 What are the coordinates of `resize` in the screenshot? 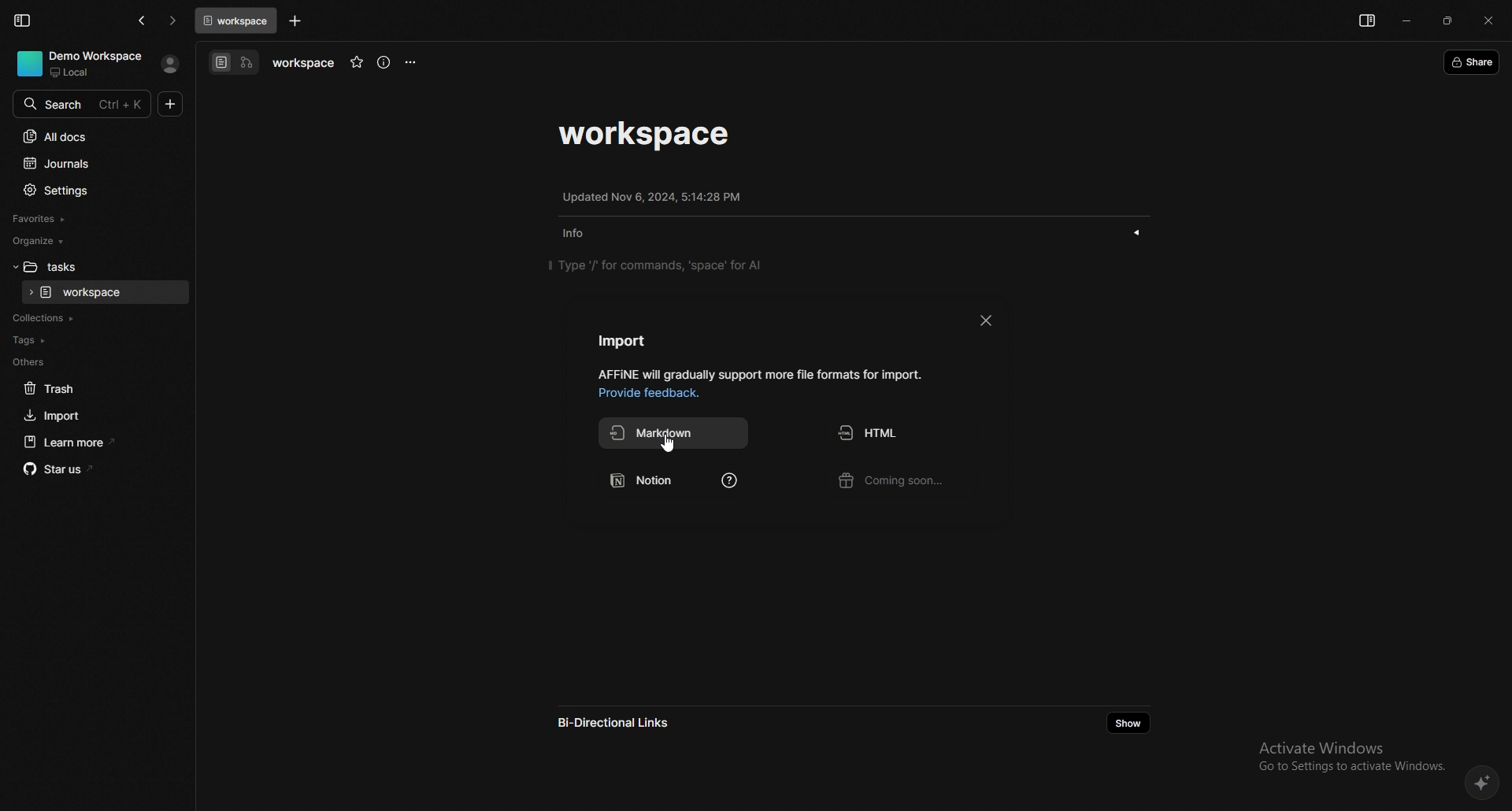 It's located at (1448, 21).